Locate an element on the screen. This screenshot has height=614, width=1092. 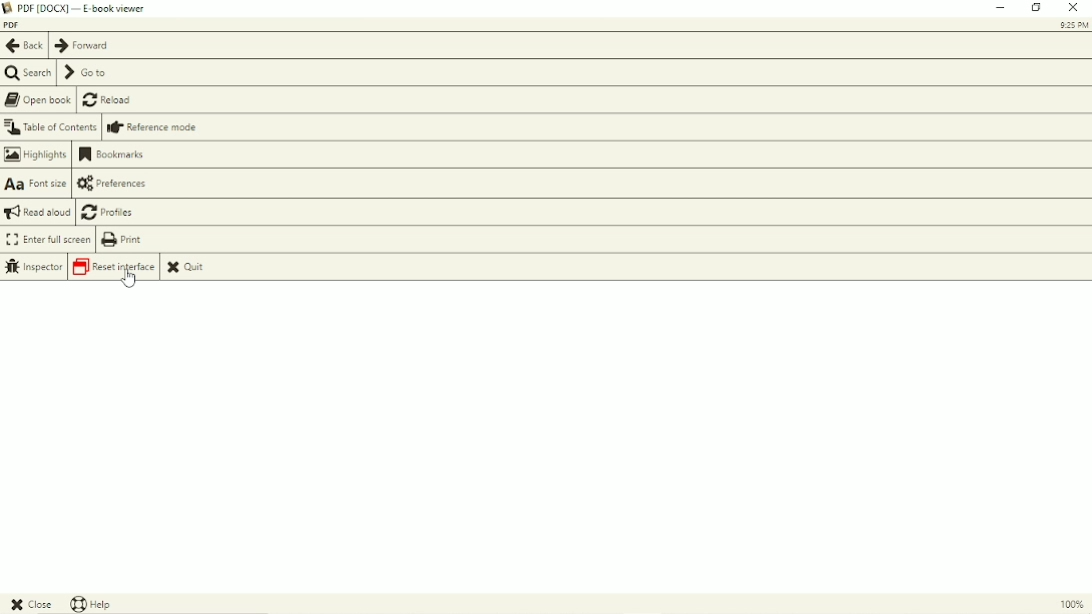
Inspector is located at coordinates (33, 268).